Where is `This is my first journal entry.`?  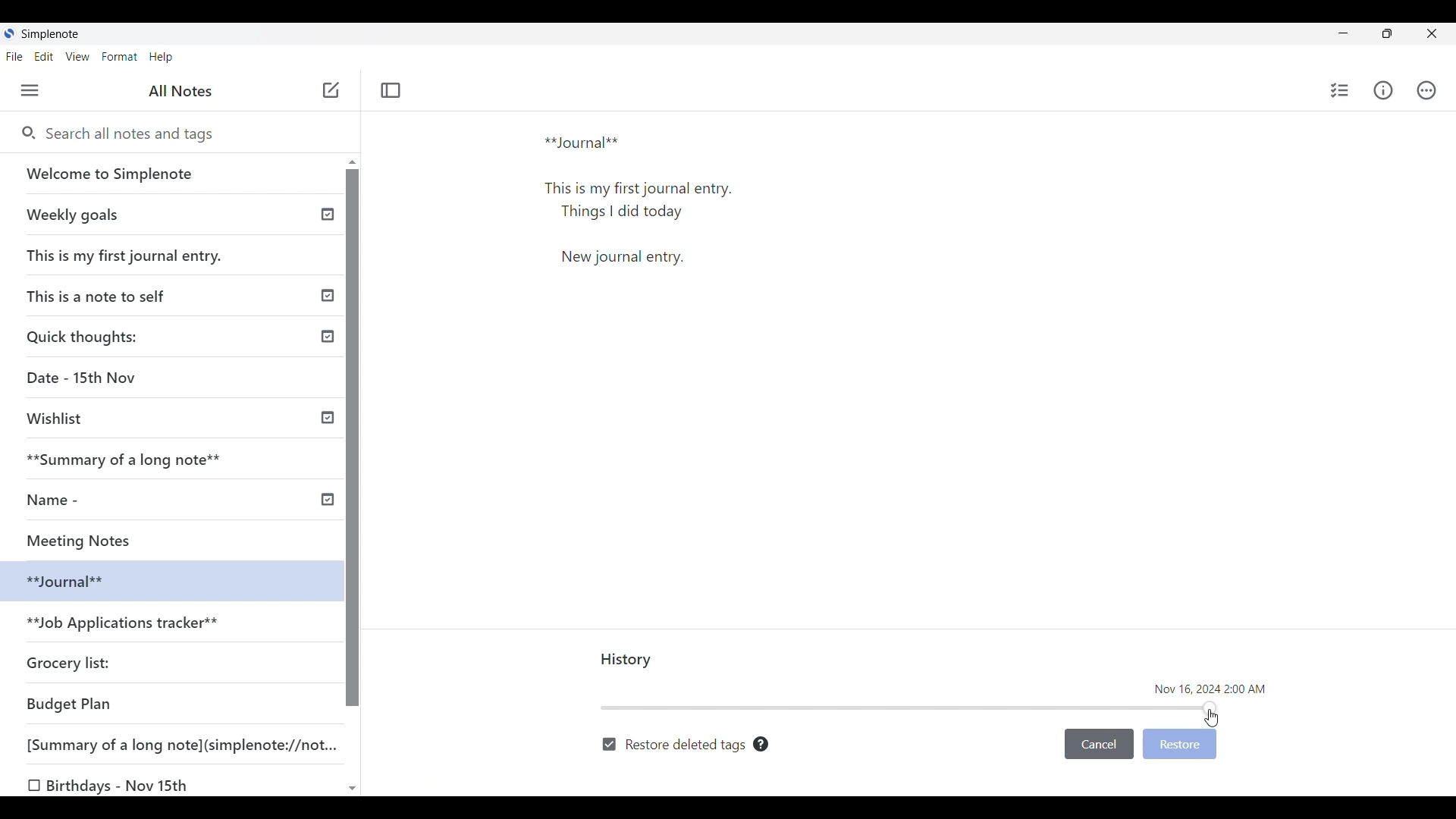
This is my first journal entry. is located at coordinates (126, 255).